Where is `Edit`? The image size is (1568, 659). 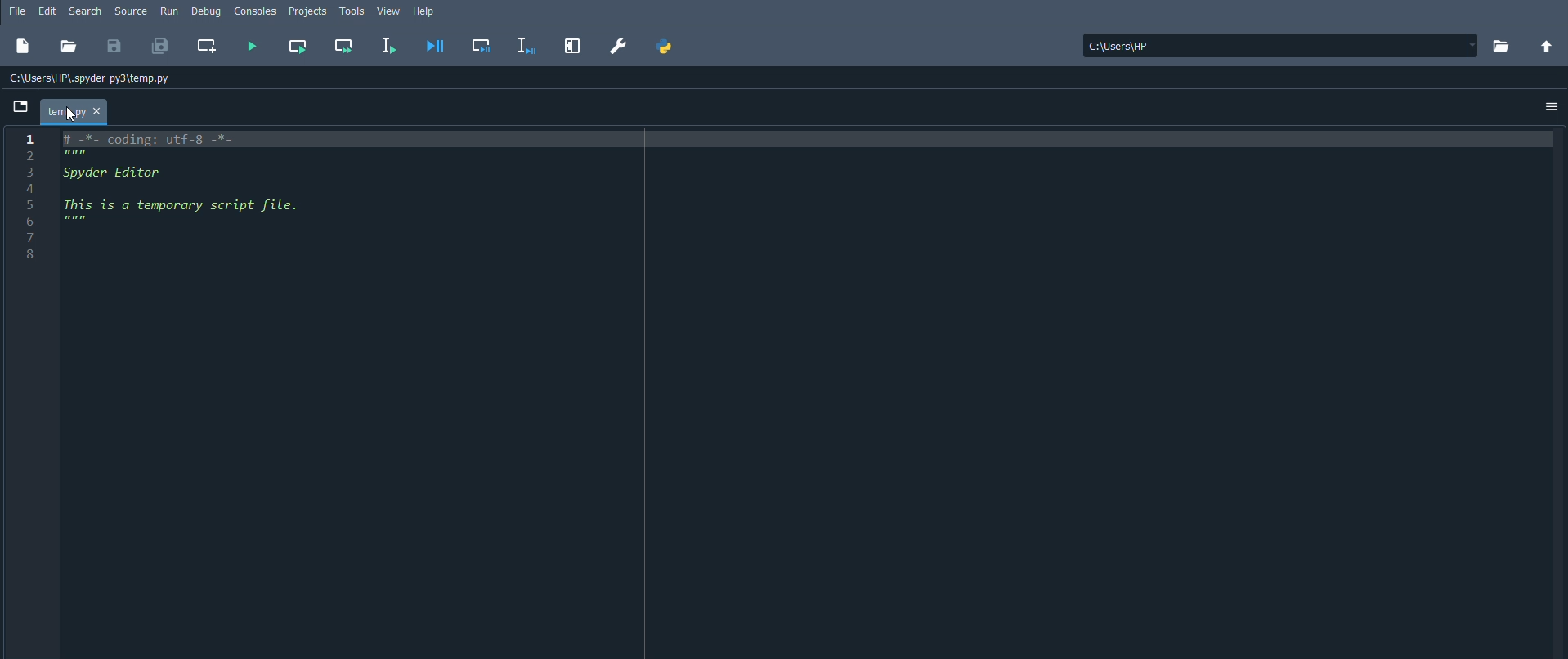
Edit is located at coordinates (48, 11).